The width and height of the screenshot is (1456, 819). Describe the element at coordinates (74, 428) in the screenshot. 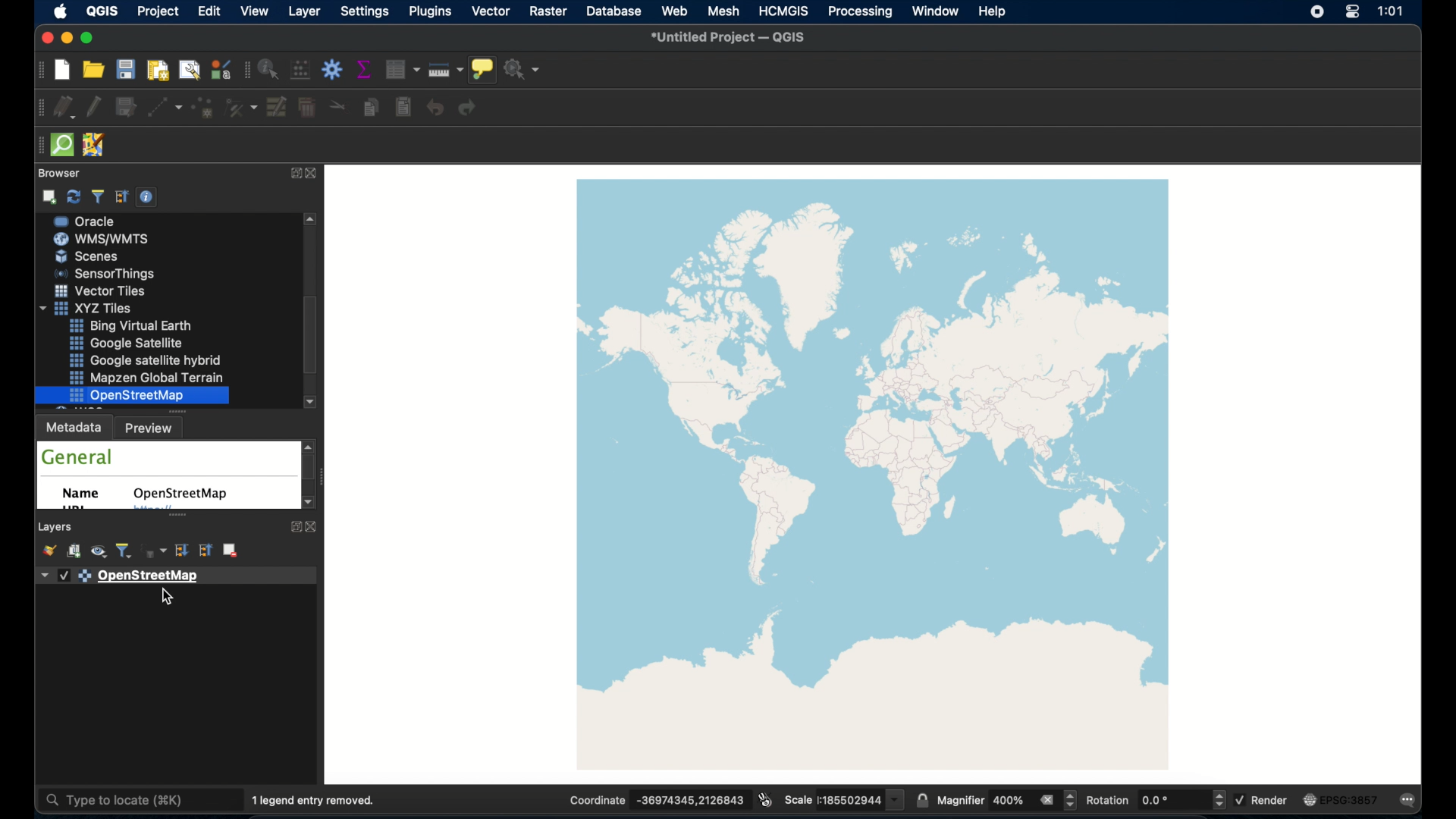

I see `metadata` at that location.